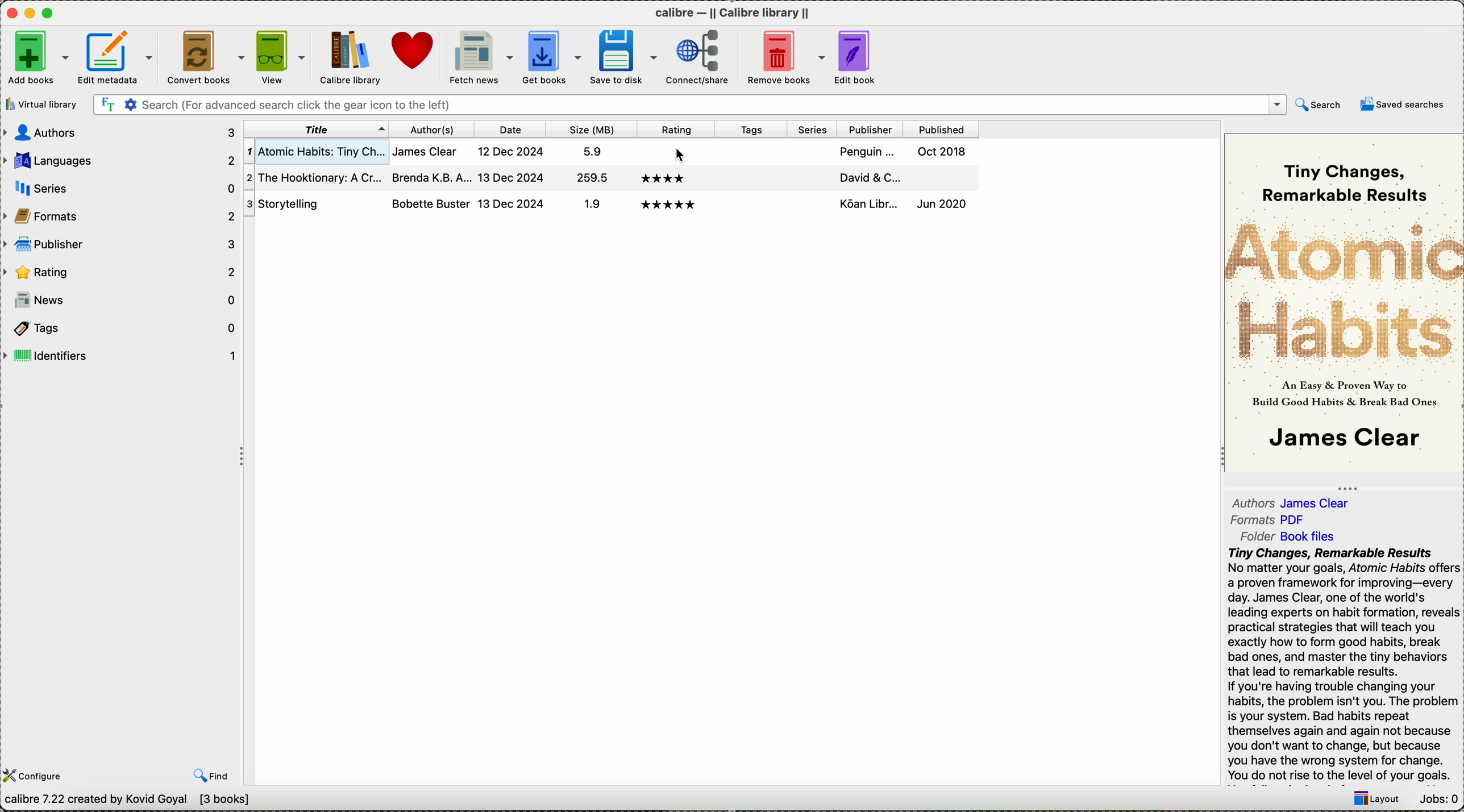 The image size is (1464, 812). What do you see at coordinates (1437, 799) in the screenshot?
I see `Jobs: 0` at bounding box center [1437, 799].